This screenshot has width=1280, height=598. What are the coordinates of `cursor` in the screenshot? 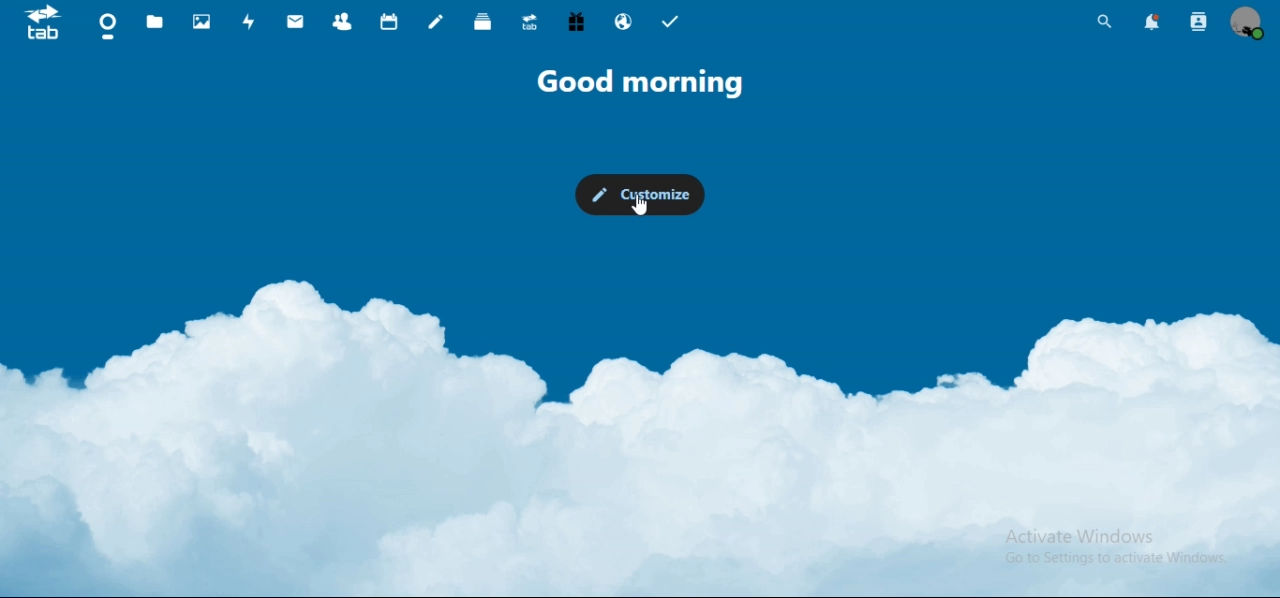 It's located at (642, 209).